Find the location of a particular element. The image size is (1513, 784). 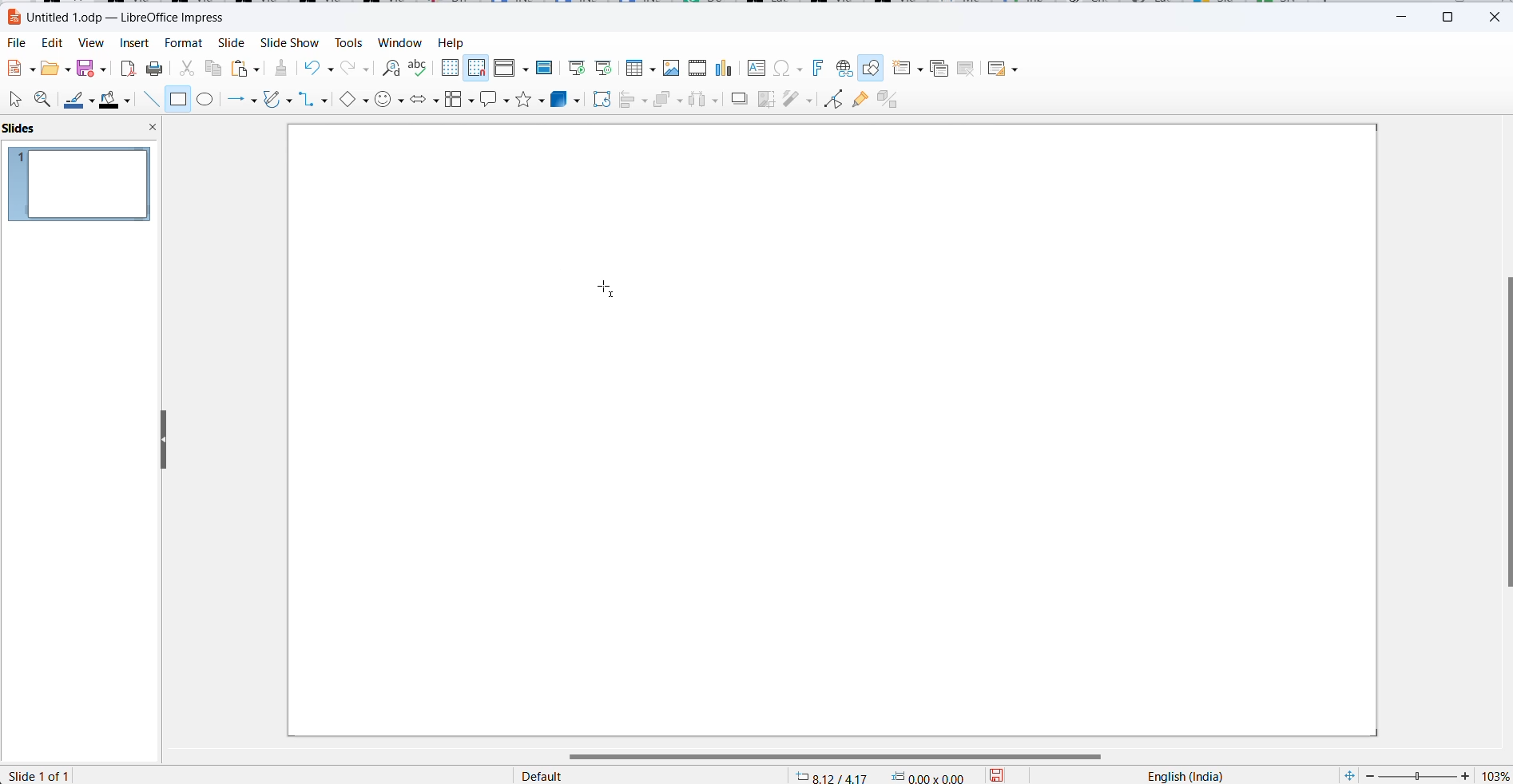

arrange is located at coordinates (668, 101).